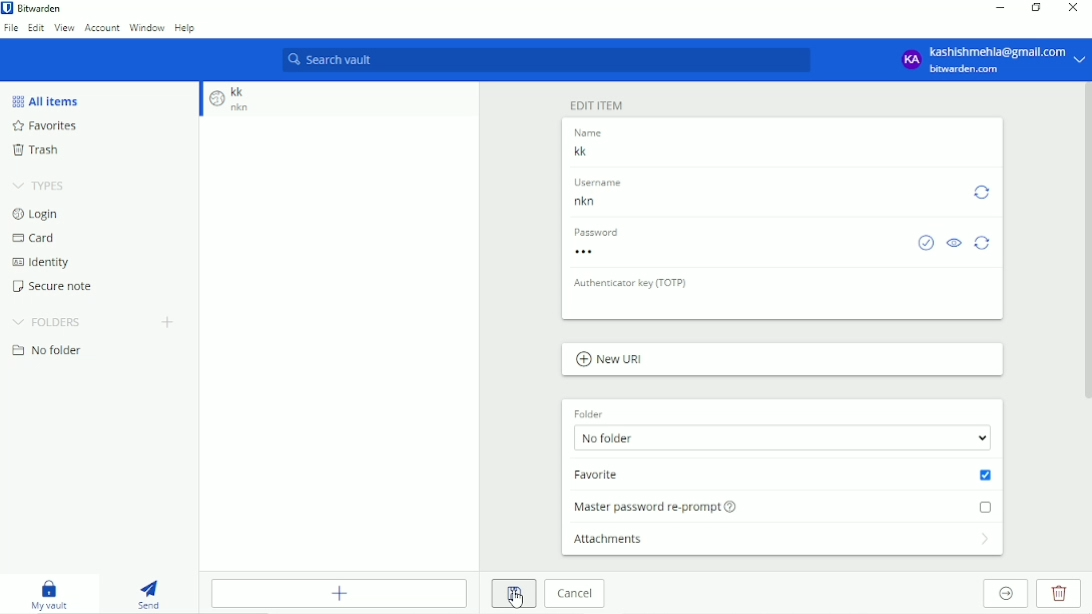  I want to click on Send, so click(148, 595).